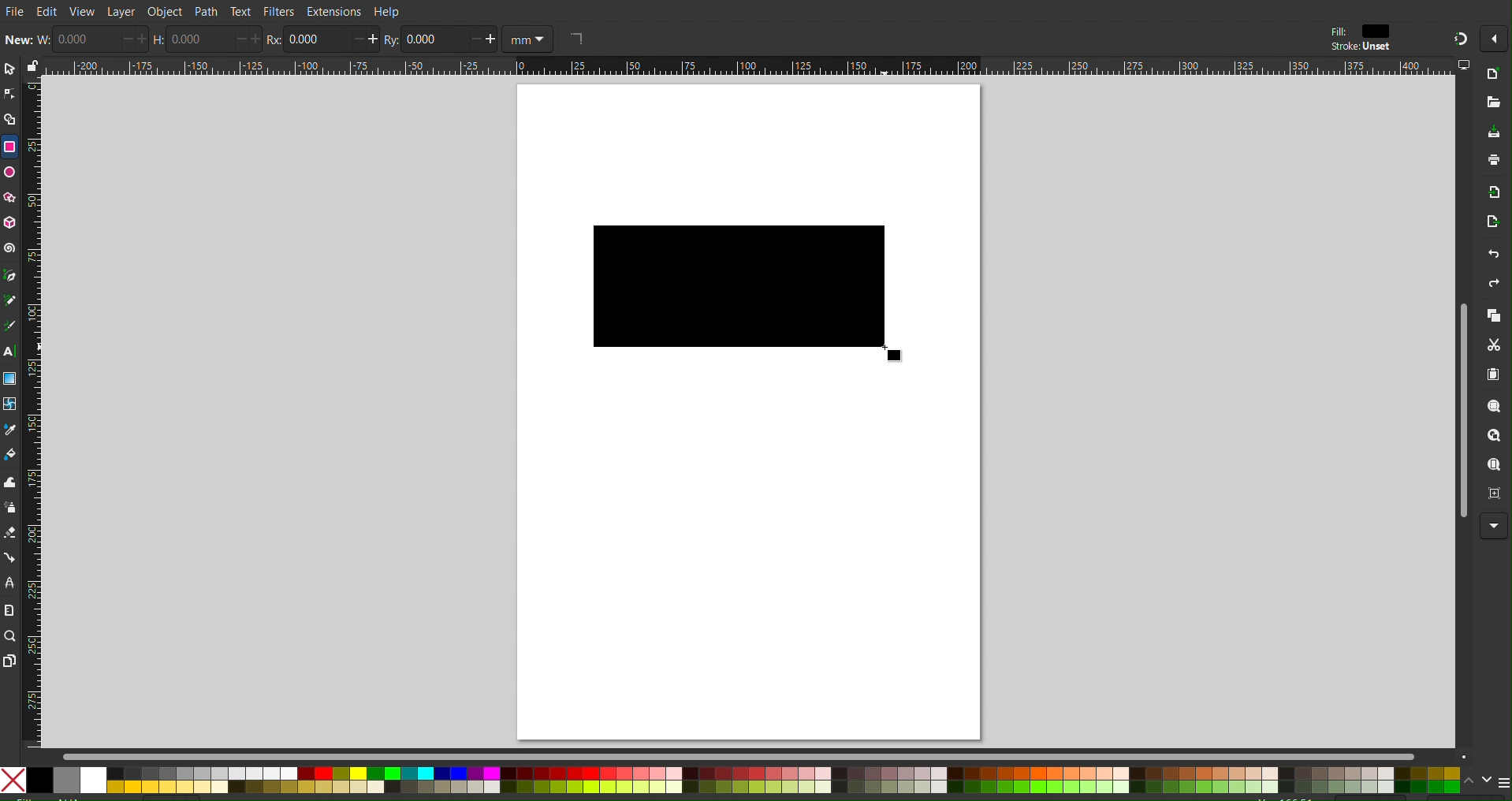  Describe the element at coordinates (1496, 410) in the screenshot. I see `Zoom Selection` at that location.